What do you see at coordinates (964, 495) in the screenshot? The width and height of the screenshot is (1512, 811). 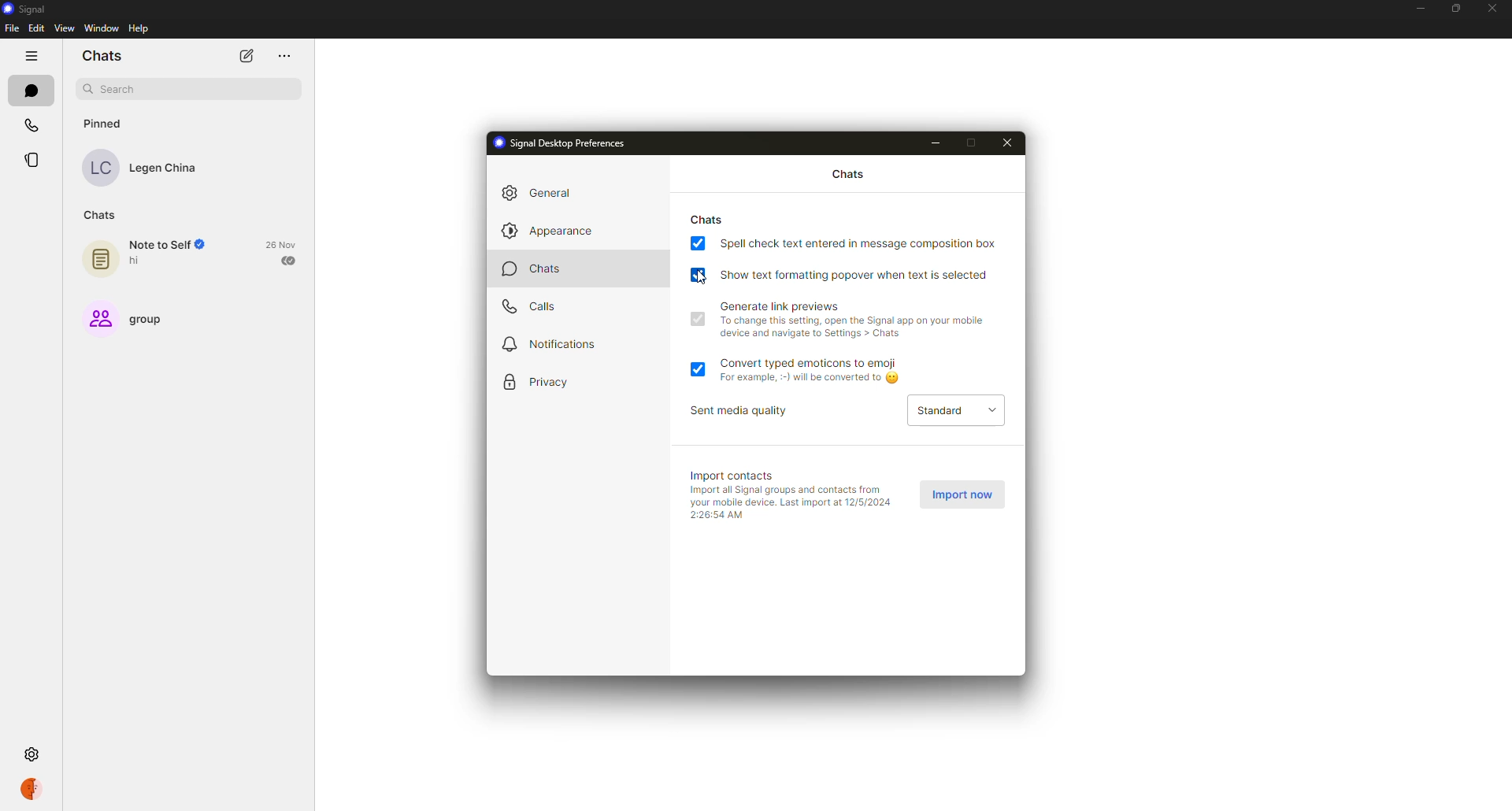 I see `import now` at bounding box center [964, 495].